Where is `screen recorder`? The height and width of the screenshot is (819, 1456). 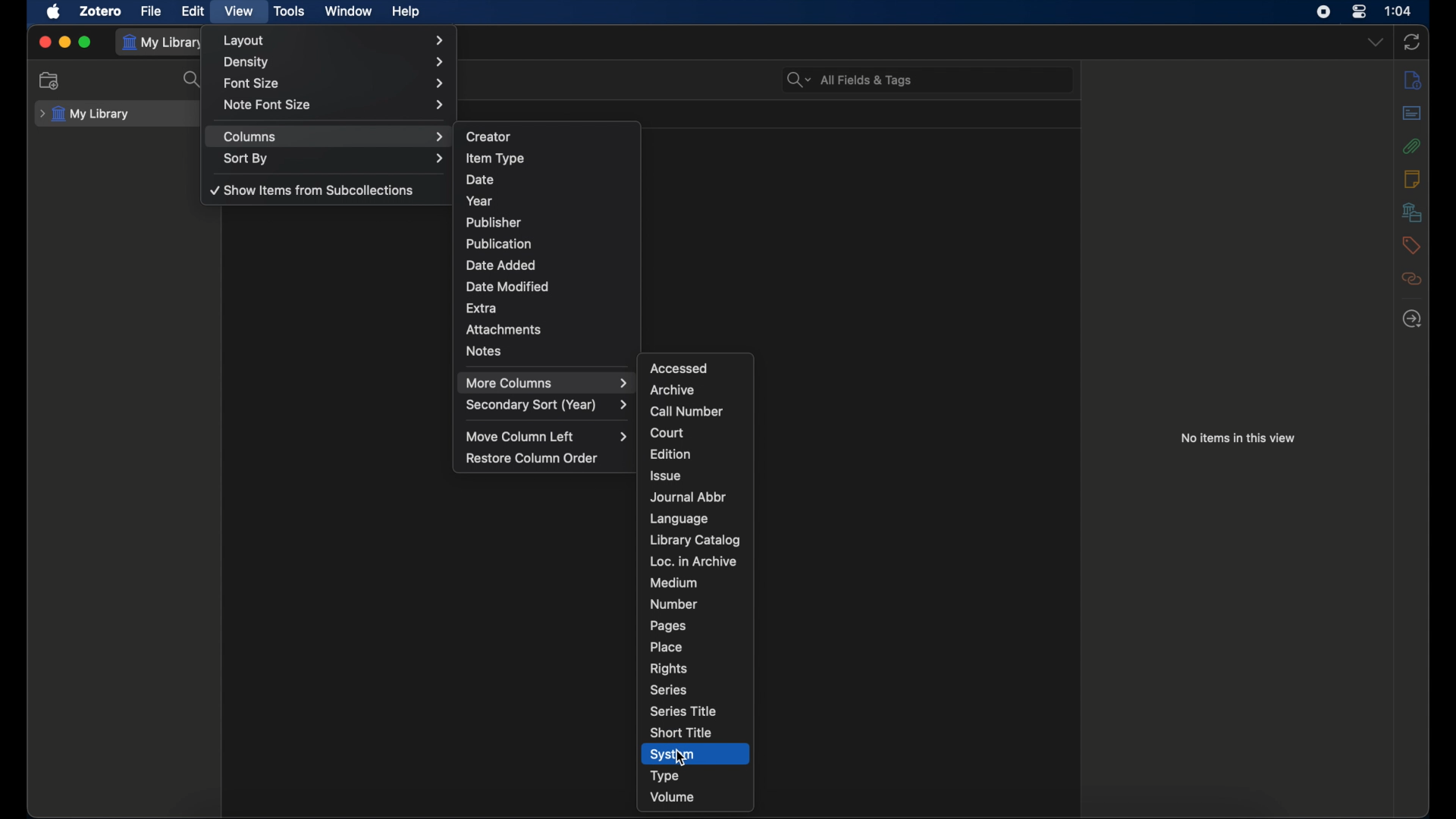
screen recorder is located at coordinates (1323, 12).